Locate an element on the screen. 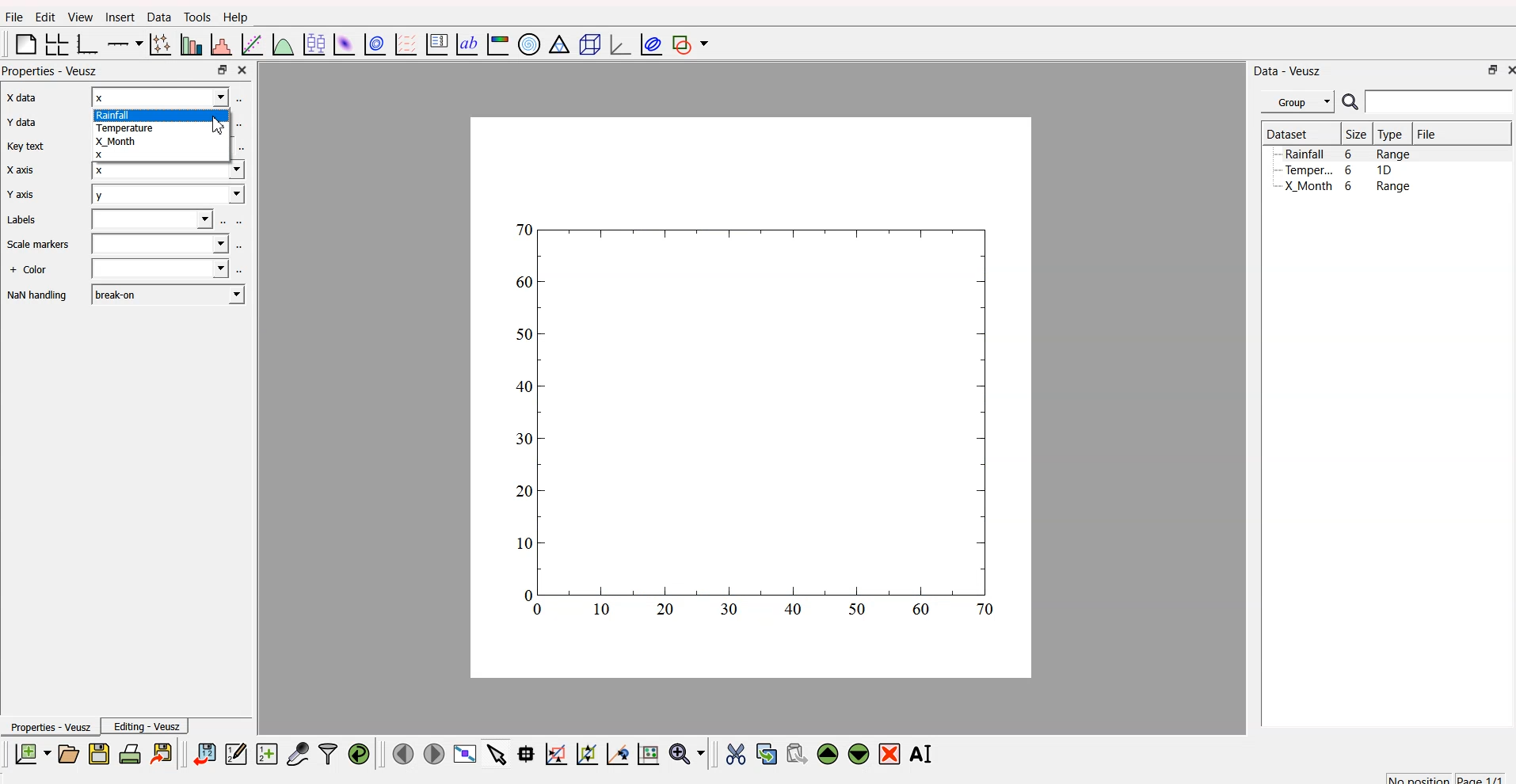  zoom menu is located at coordinates (688, 752).